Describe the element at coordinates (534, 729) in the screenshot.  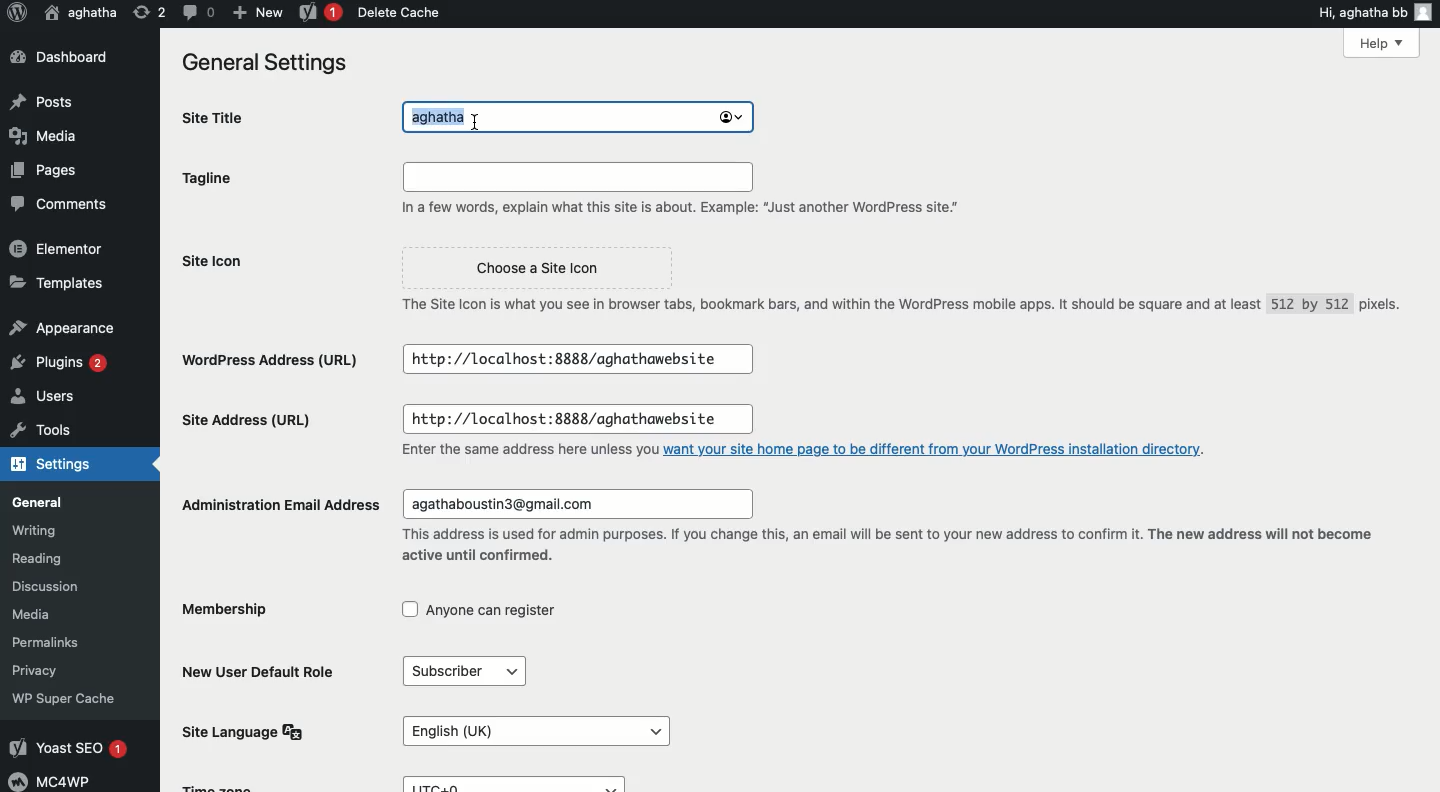
I see `English (UK)` at that location.